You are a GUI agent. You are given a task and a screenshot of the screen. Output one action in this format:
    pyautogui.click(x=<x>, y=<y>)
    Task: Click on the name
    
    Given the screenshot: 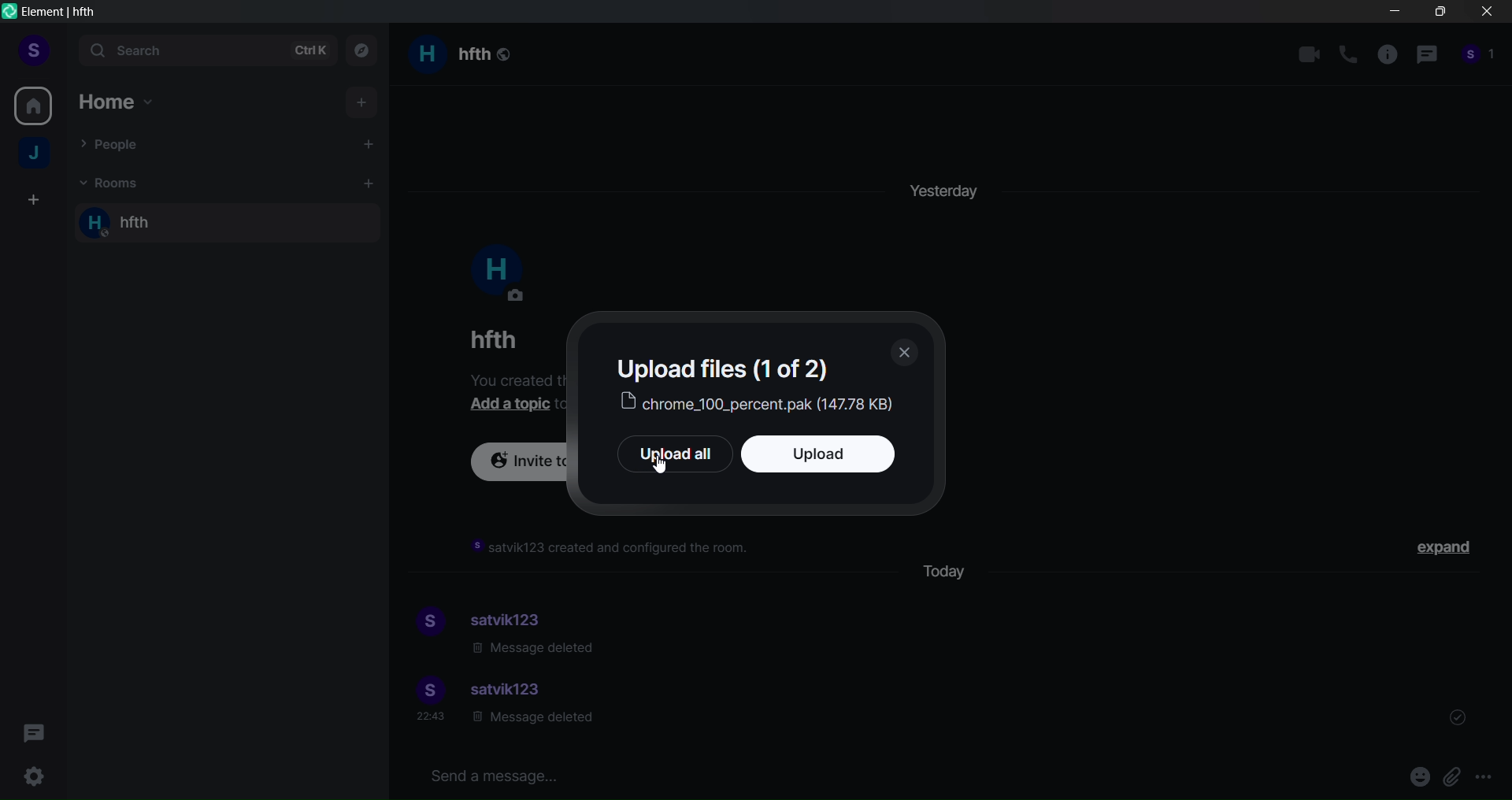 What is the action you would take?
    pyautogui.click(x=490, y=339)
    